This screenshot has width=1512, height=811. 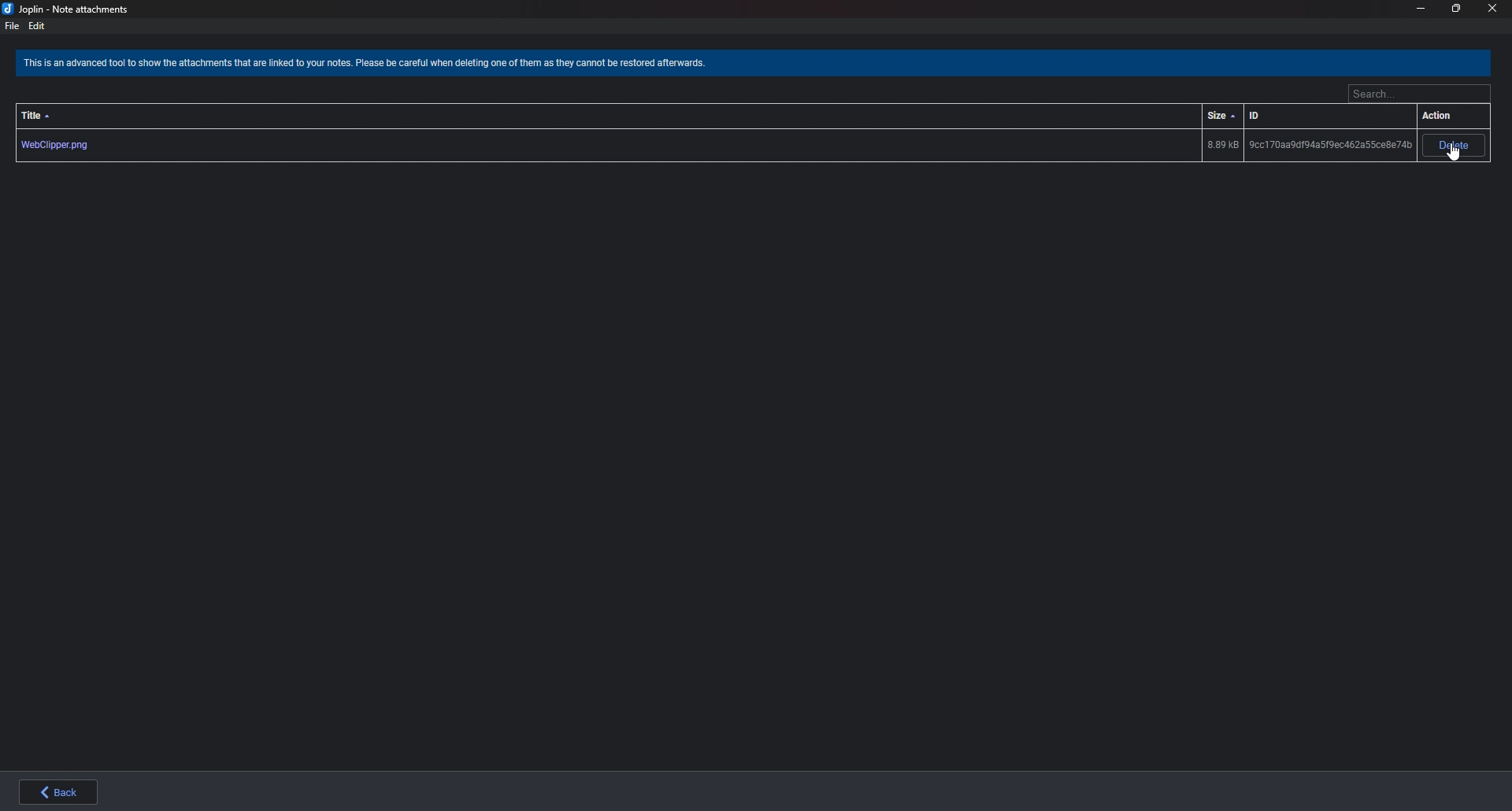 I want to click on edit, so click(x=37, y=25).